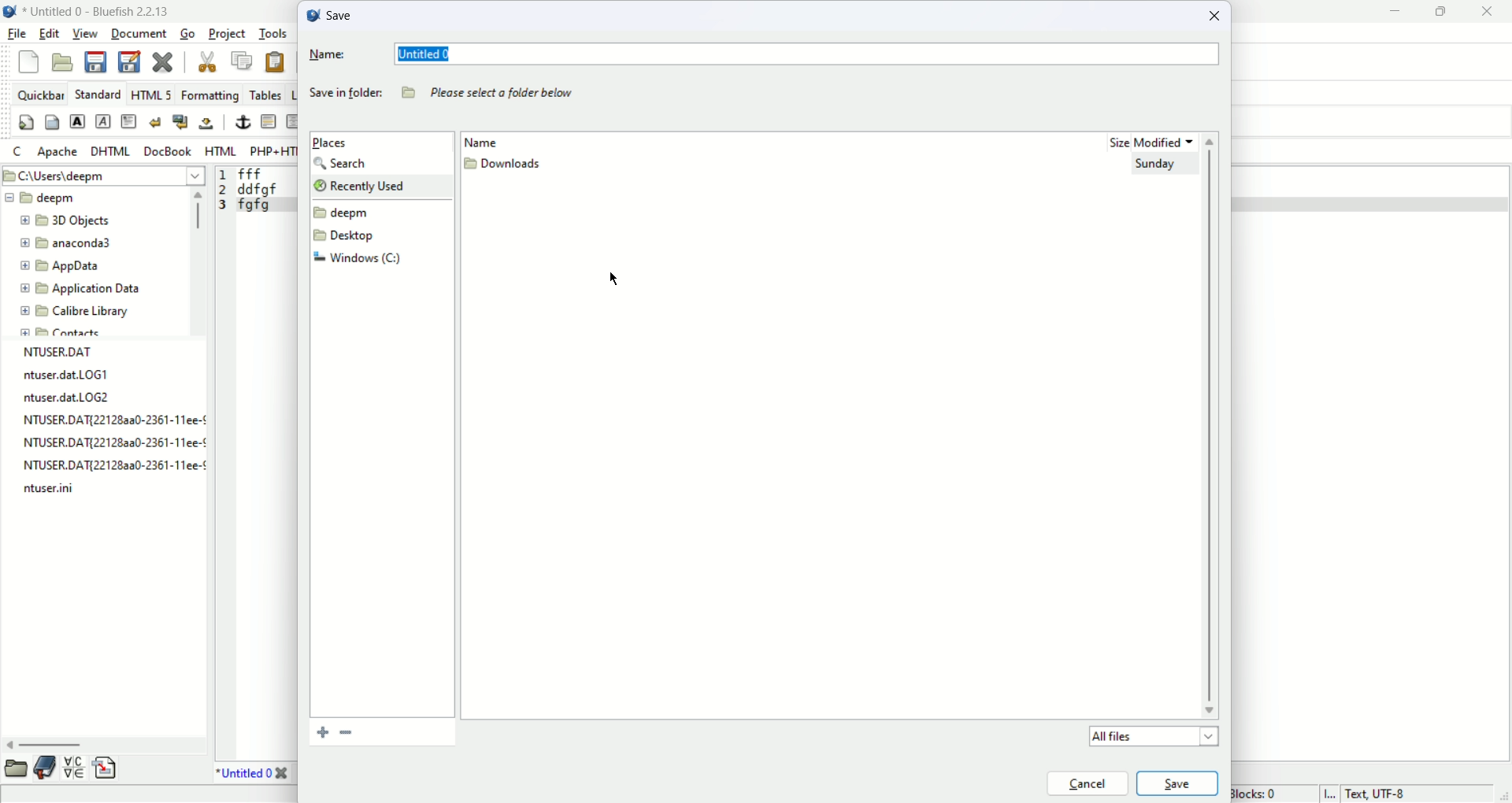 The image size is (1512, 803). What do you see at coordinates (222, 193) in the screenshot?
I see `line number` at bounding box center [222, 193].